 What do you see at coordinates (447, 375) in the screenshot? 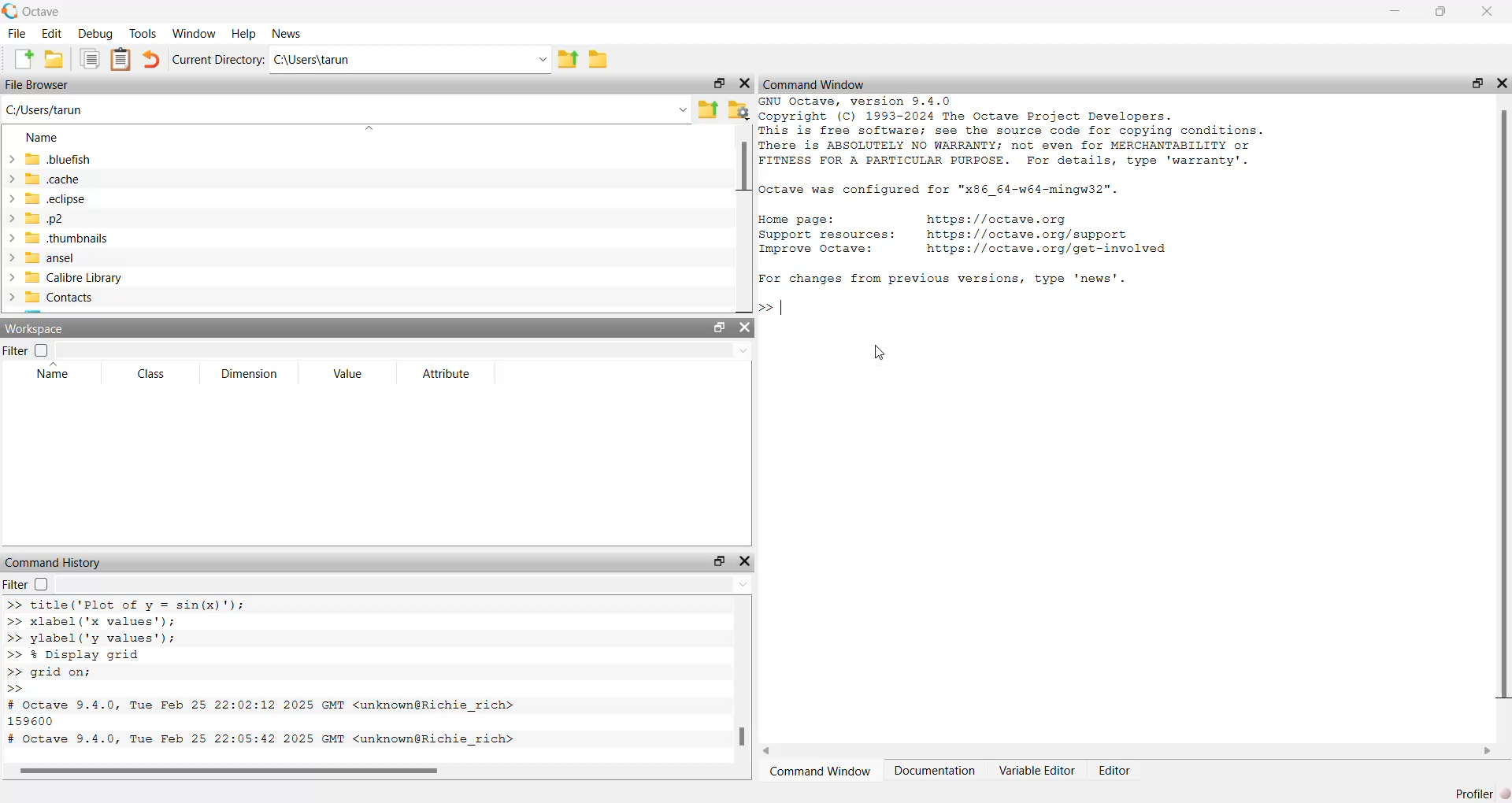
I see `Attribute` at bounding box center [447, 375].